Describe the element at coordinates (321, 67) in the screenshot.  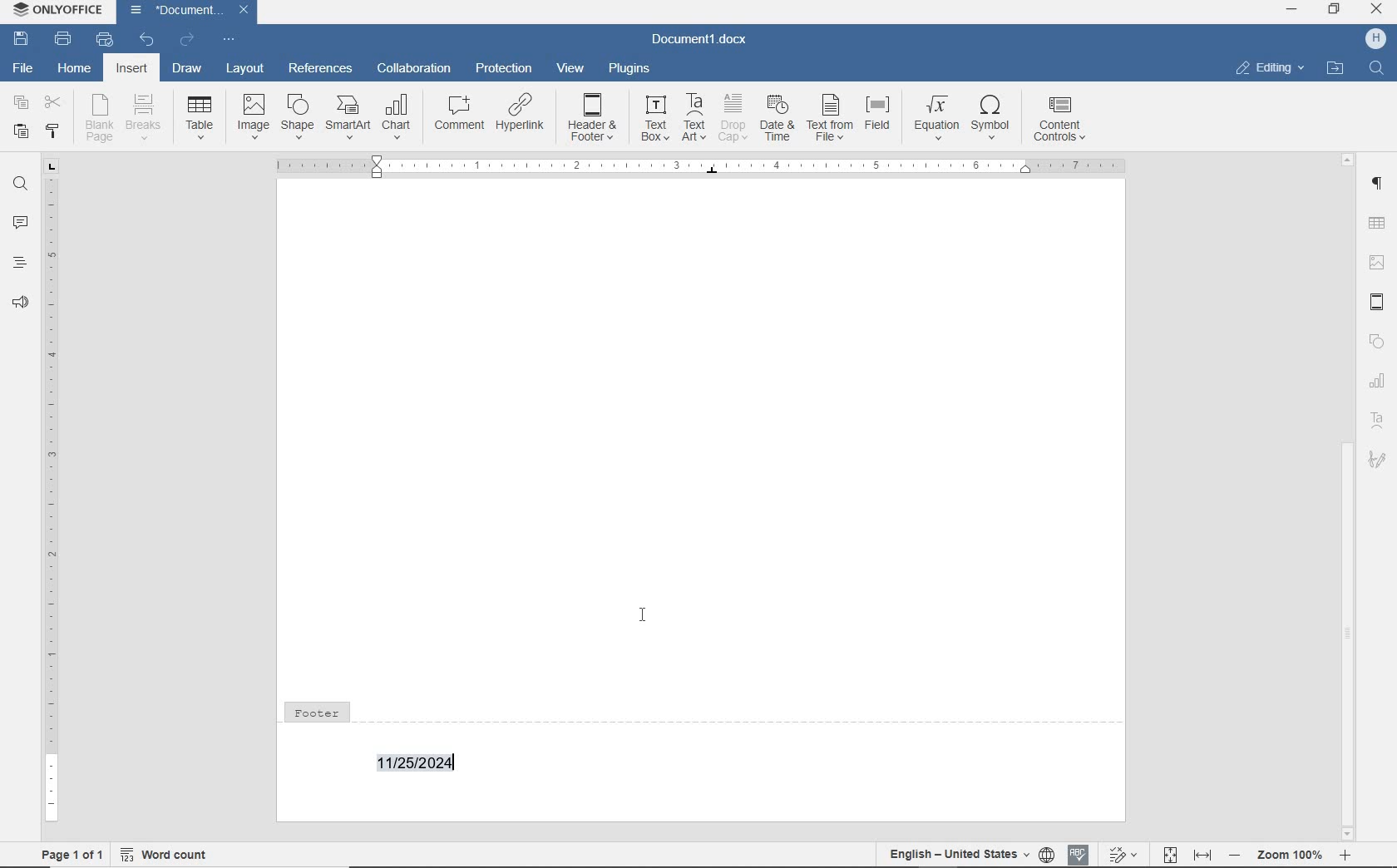
I see `references` at that location.